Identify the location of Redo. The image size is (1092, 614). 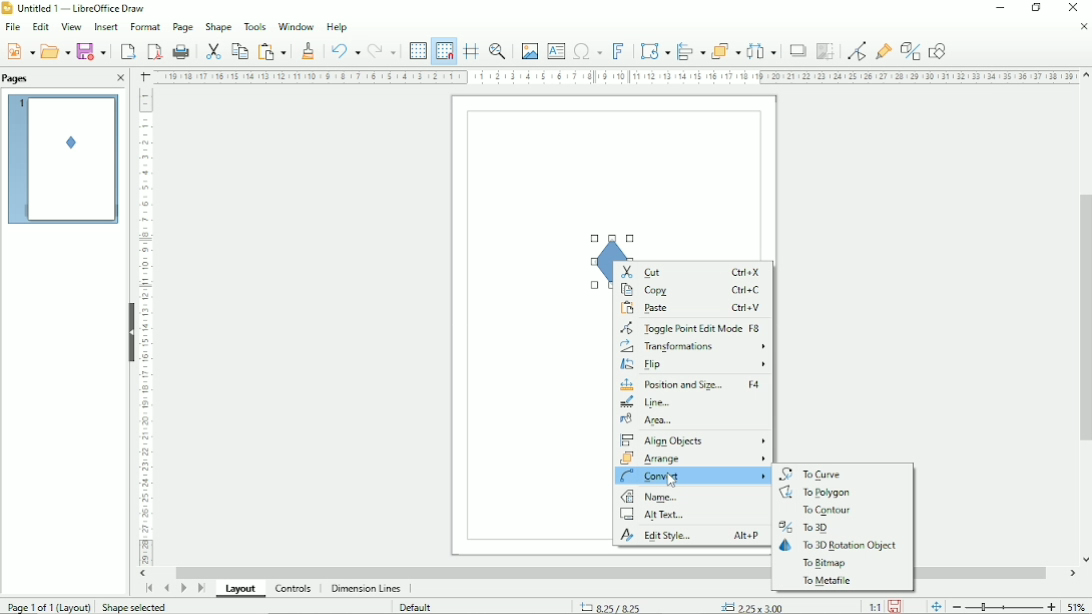
(384, 49).